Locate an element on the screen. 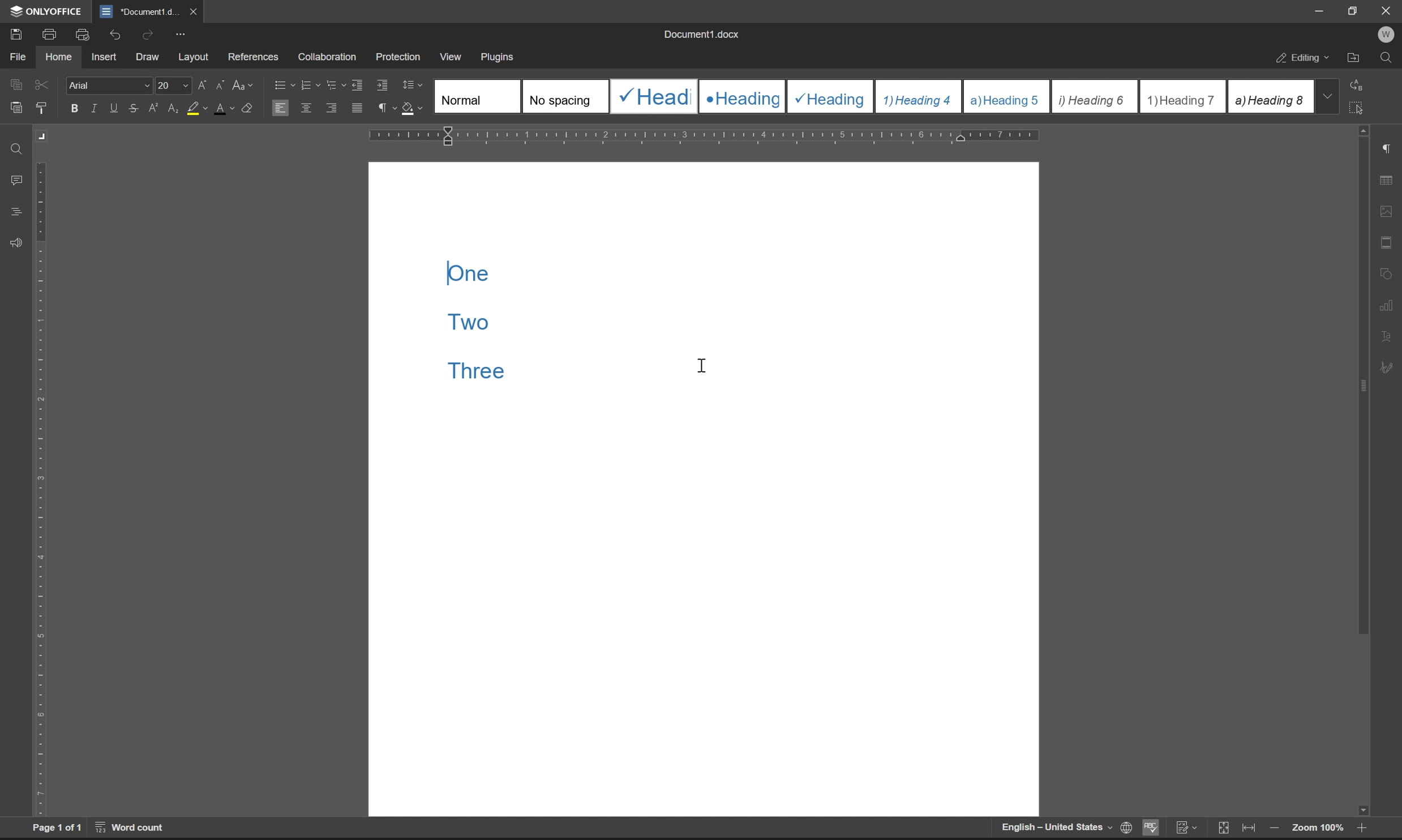  cursor is located at coordinates (704, 365).